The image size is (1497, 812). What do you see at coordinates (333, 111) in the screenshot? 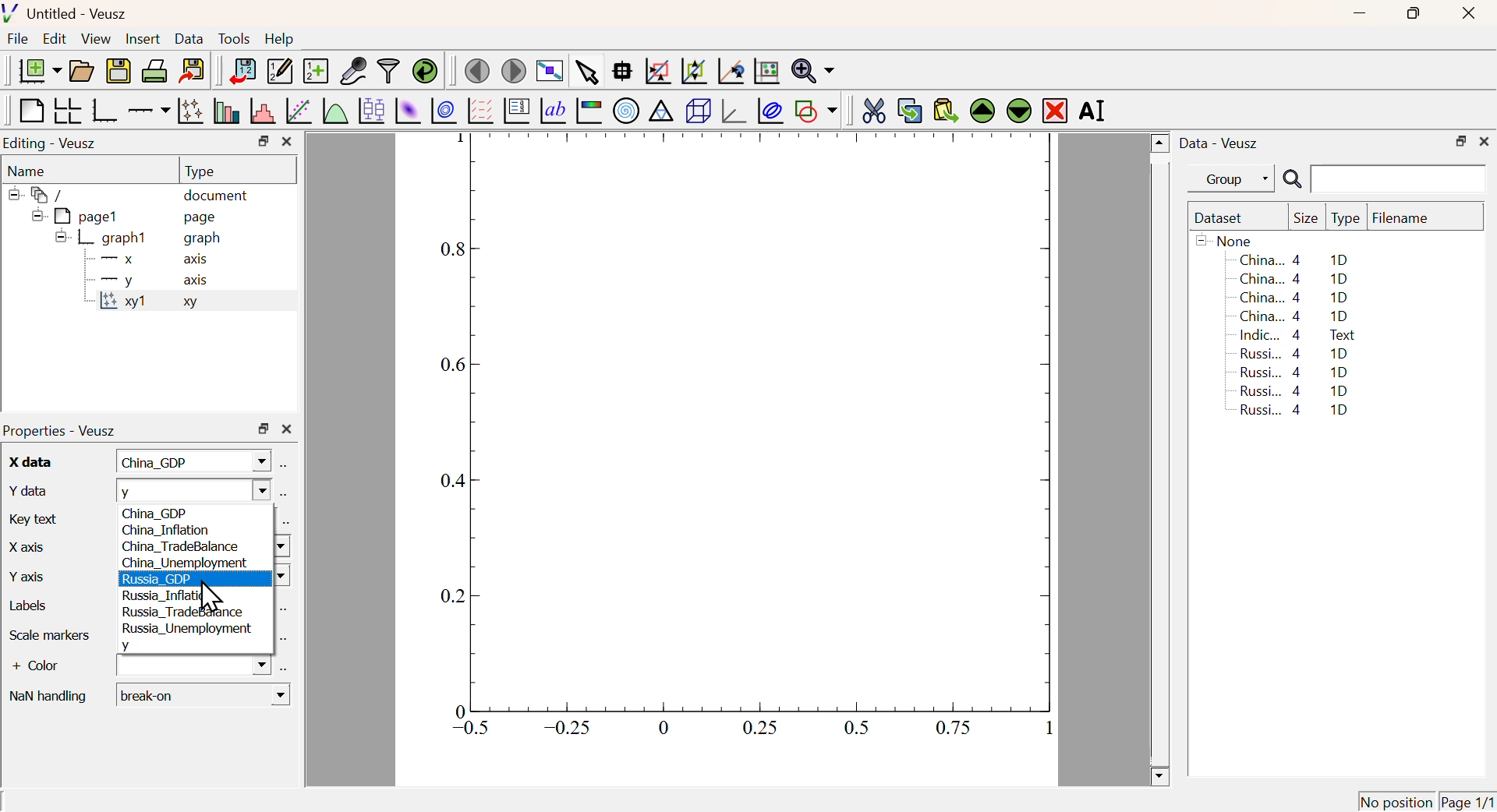
I see `Plot a function` at bounding box center [333, 111].